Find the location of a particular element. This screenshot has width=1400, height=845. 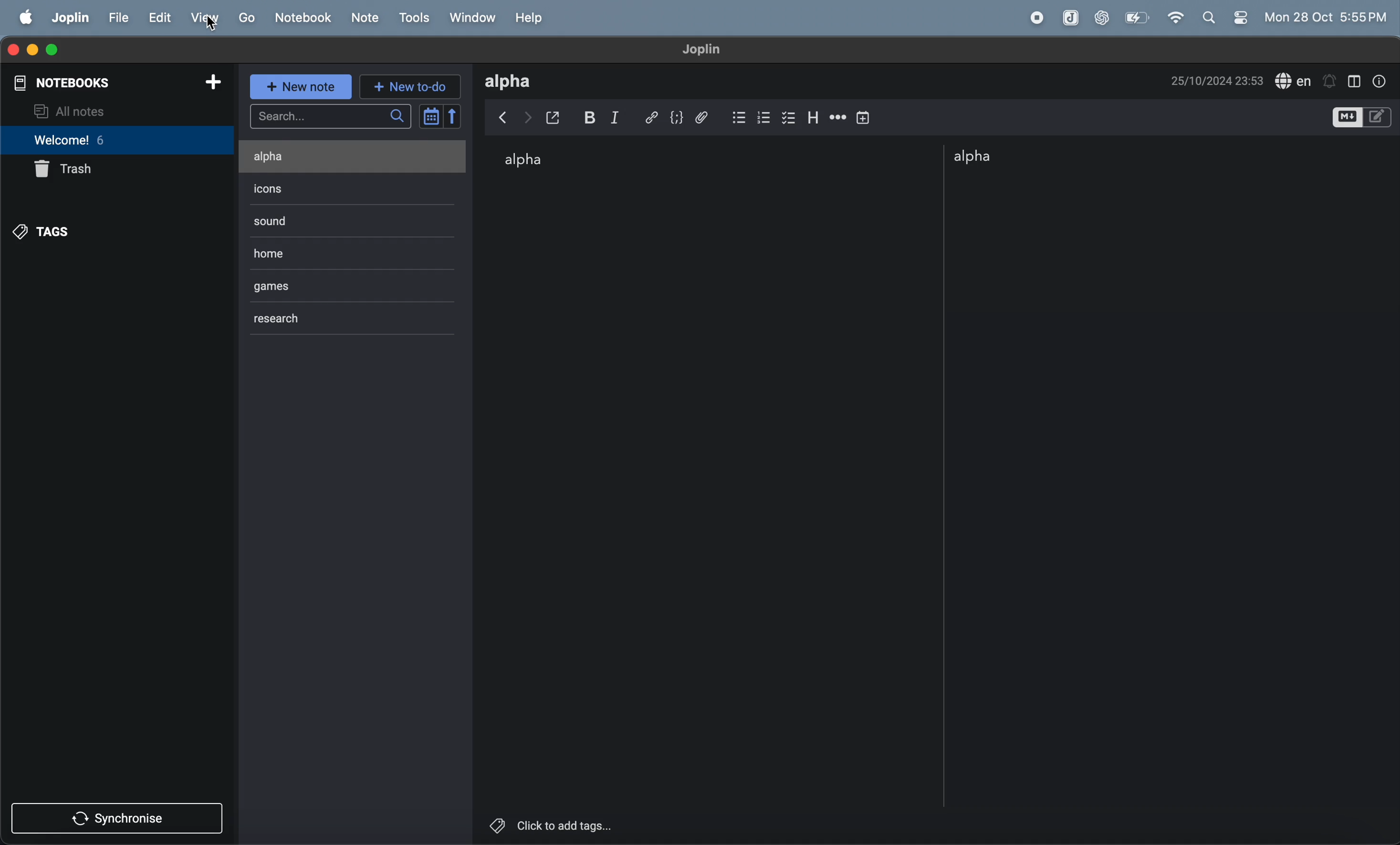

new note is located at coordinates (301, 87).